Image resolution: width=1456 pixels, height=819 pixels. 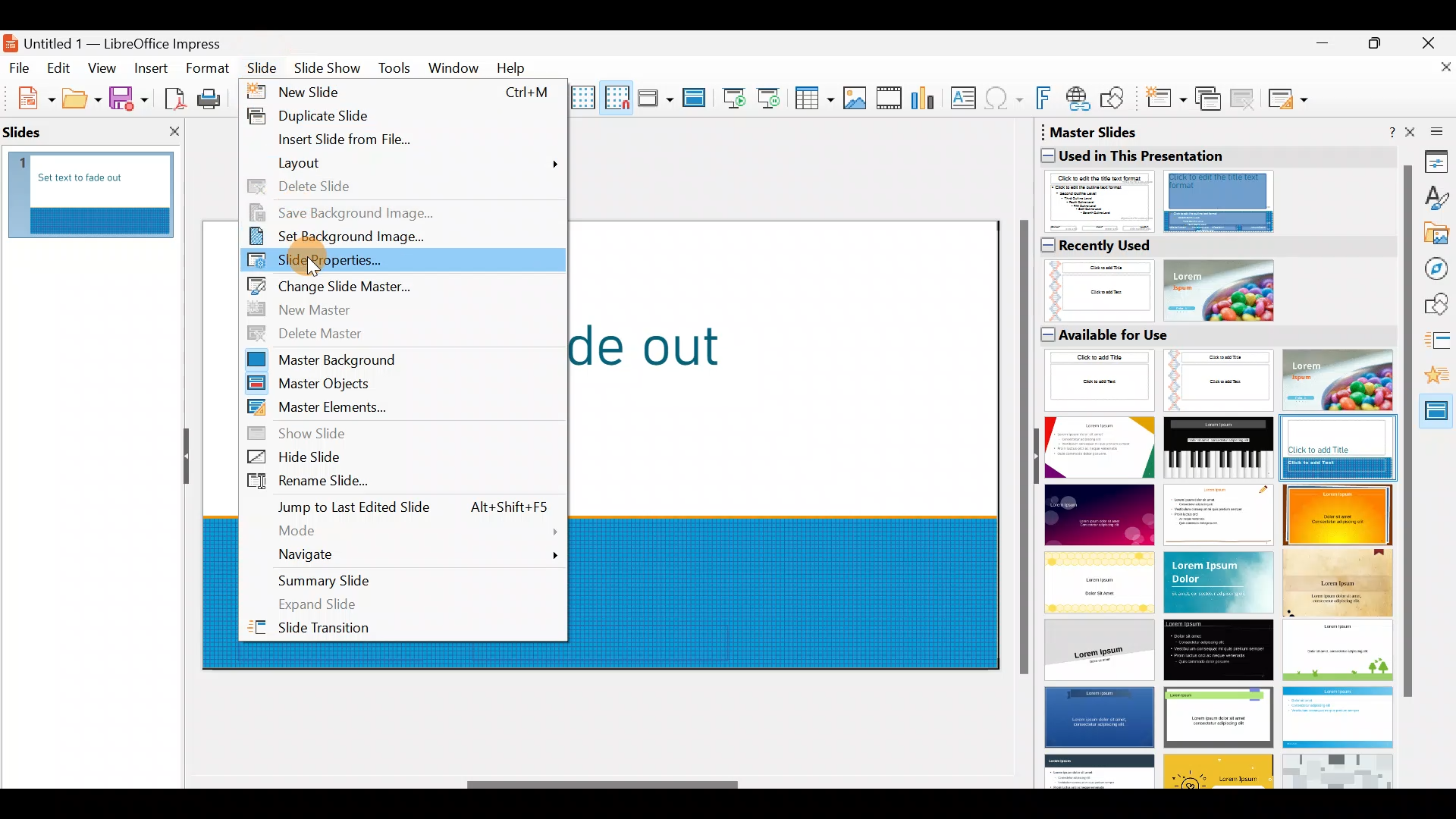 What do you see at coordinates (890, 101) in the screenshot?
I see `Insert audio or video` at bounding box center [890, 101].